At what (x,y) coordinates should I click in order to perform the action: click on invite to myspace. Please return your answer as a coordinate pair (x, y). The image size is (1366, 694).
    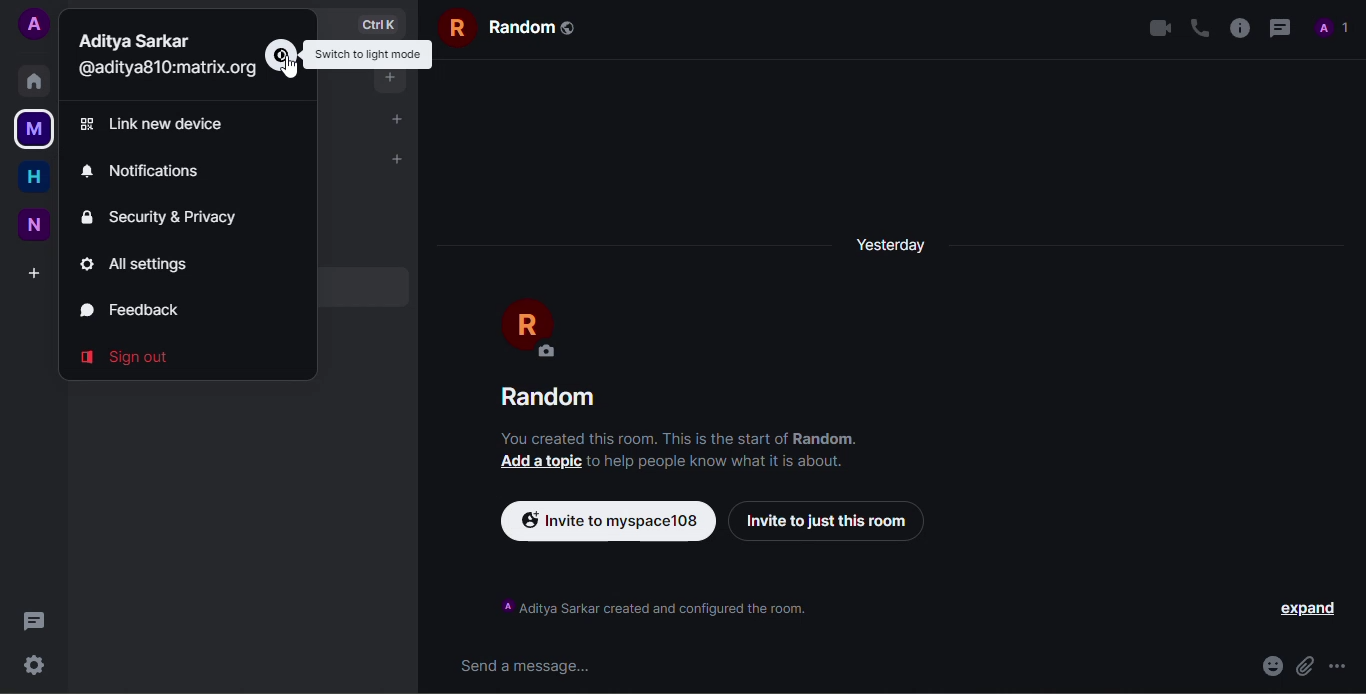
    Looking at the image, I should click on (605, 518).